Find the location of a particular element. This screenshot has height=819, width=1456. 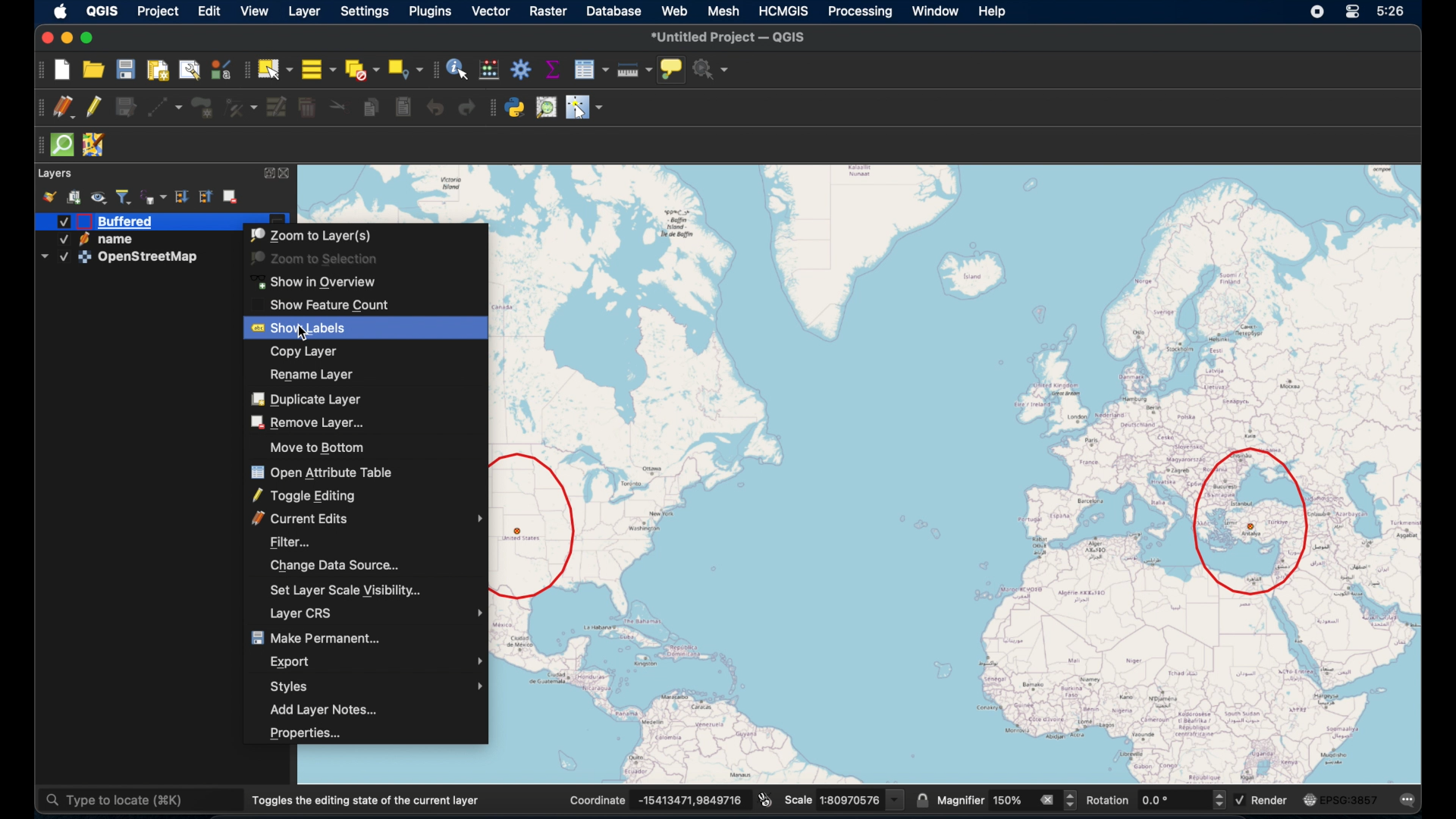

EPSG:3875 is located at coordinates (1351, 801).